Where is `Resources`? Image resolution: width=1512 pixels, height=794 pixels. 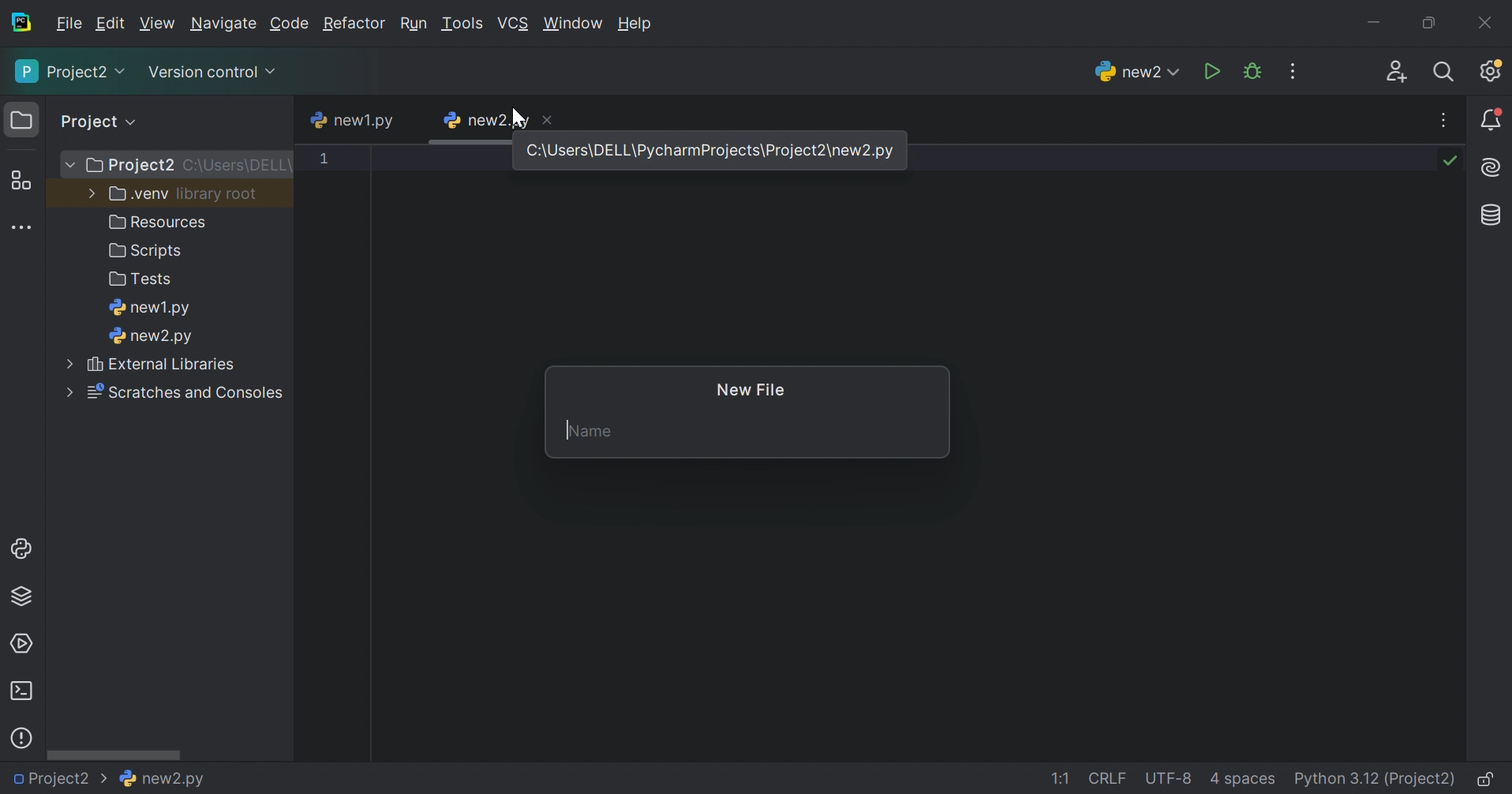 Resources is located at coordinates (161, 222).